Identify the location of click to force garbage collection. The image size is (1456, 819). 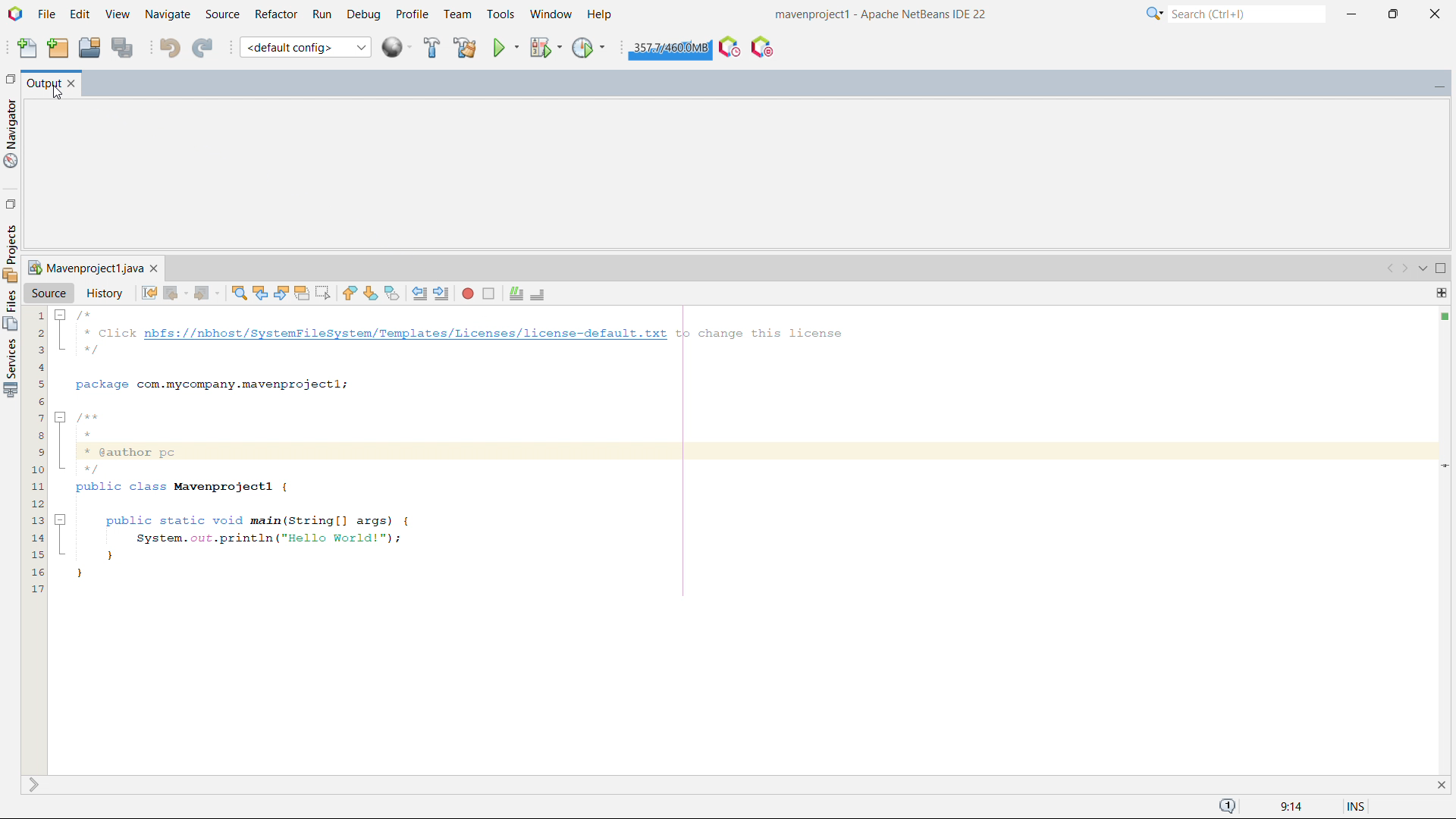
(670, 48).